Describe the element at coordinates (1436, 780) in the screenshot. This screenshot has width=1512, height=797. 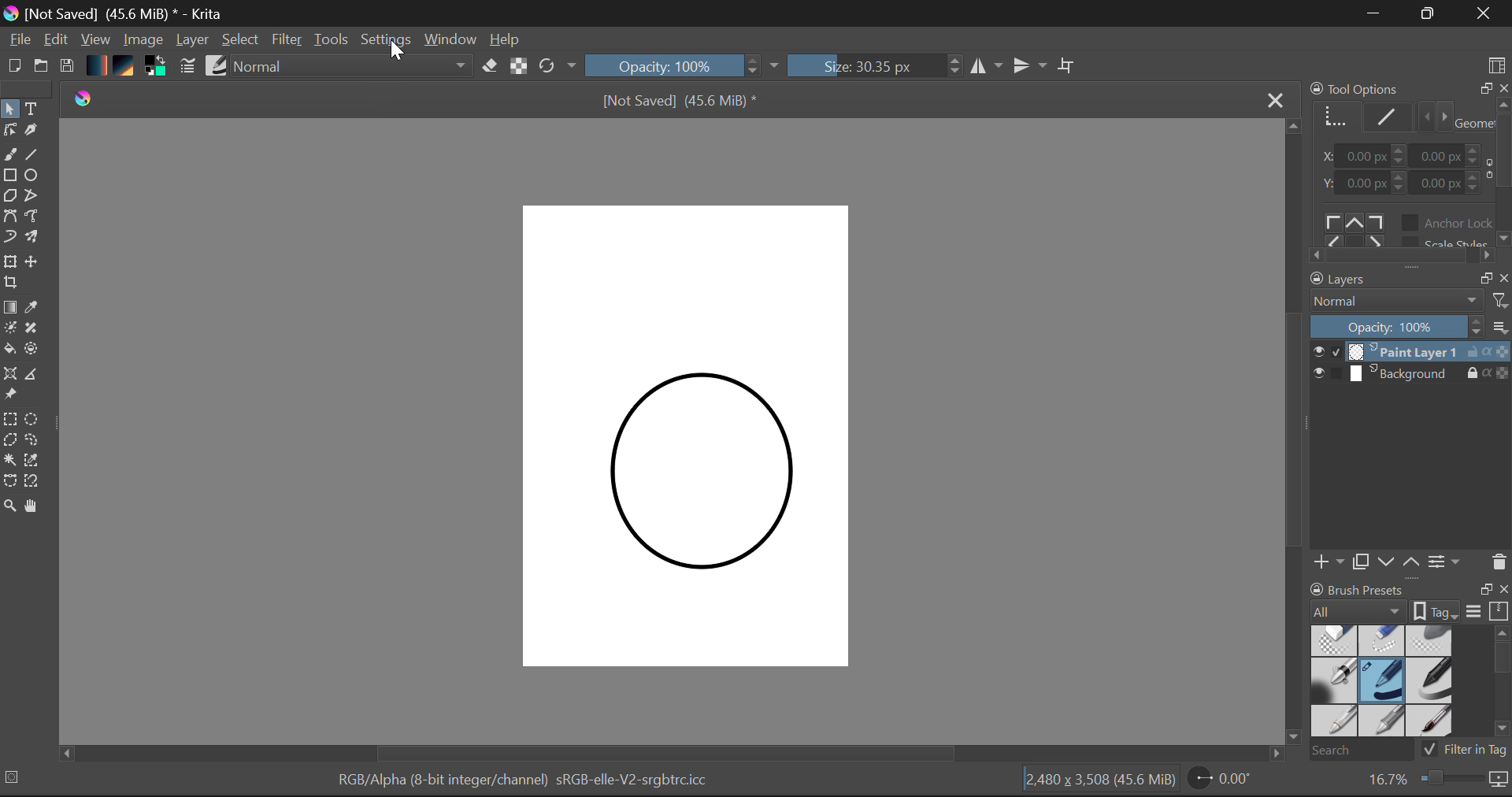
I see `Zoom` at that location.